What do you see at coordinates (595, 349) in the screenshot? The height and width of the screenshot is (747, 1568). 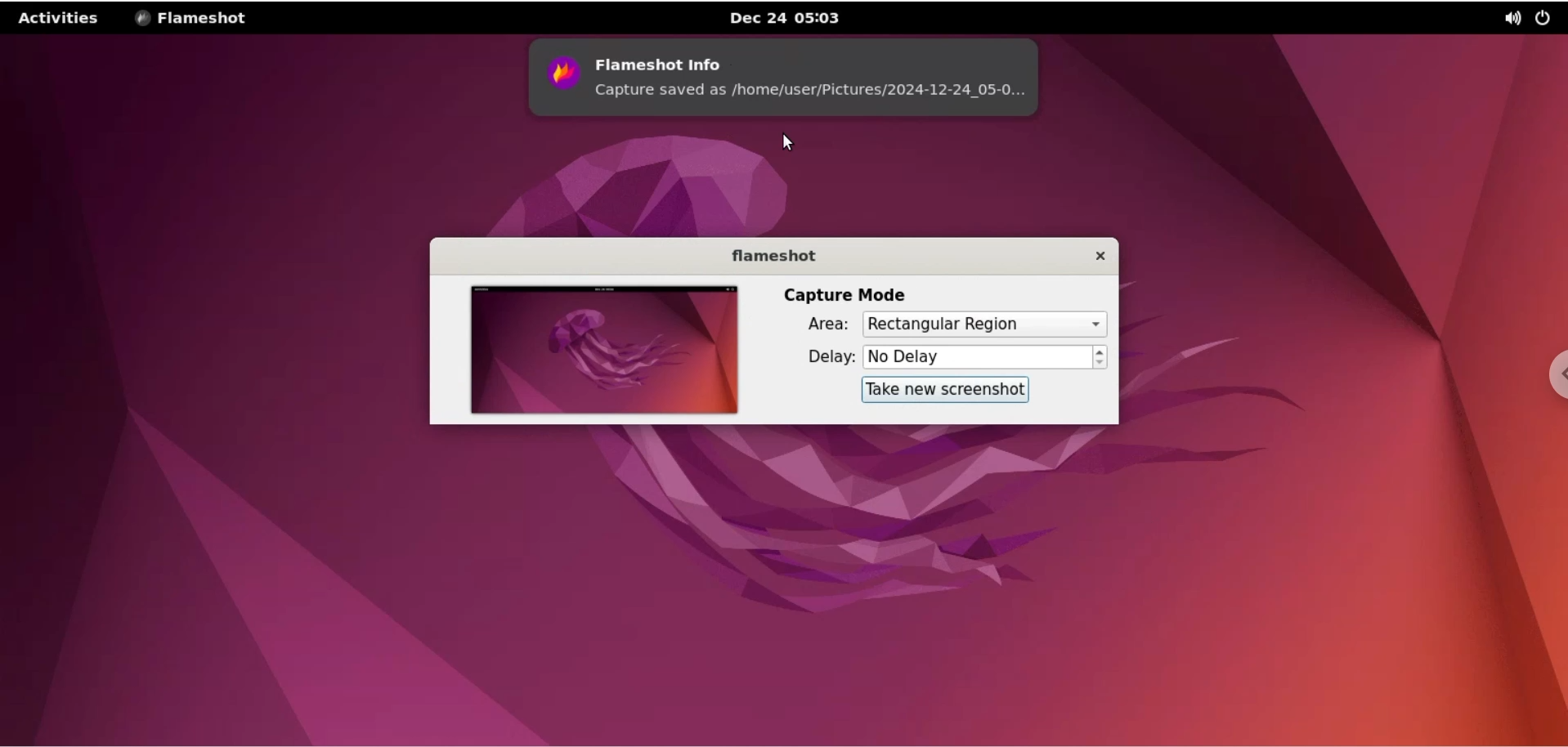 I see `screenshot preview` at bounding box center [595, 349].